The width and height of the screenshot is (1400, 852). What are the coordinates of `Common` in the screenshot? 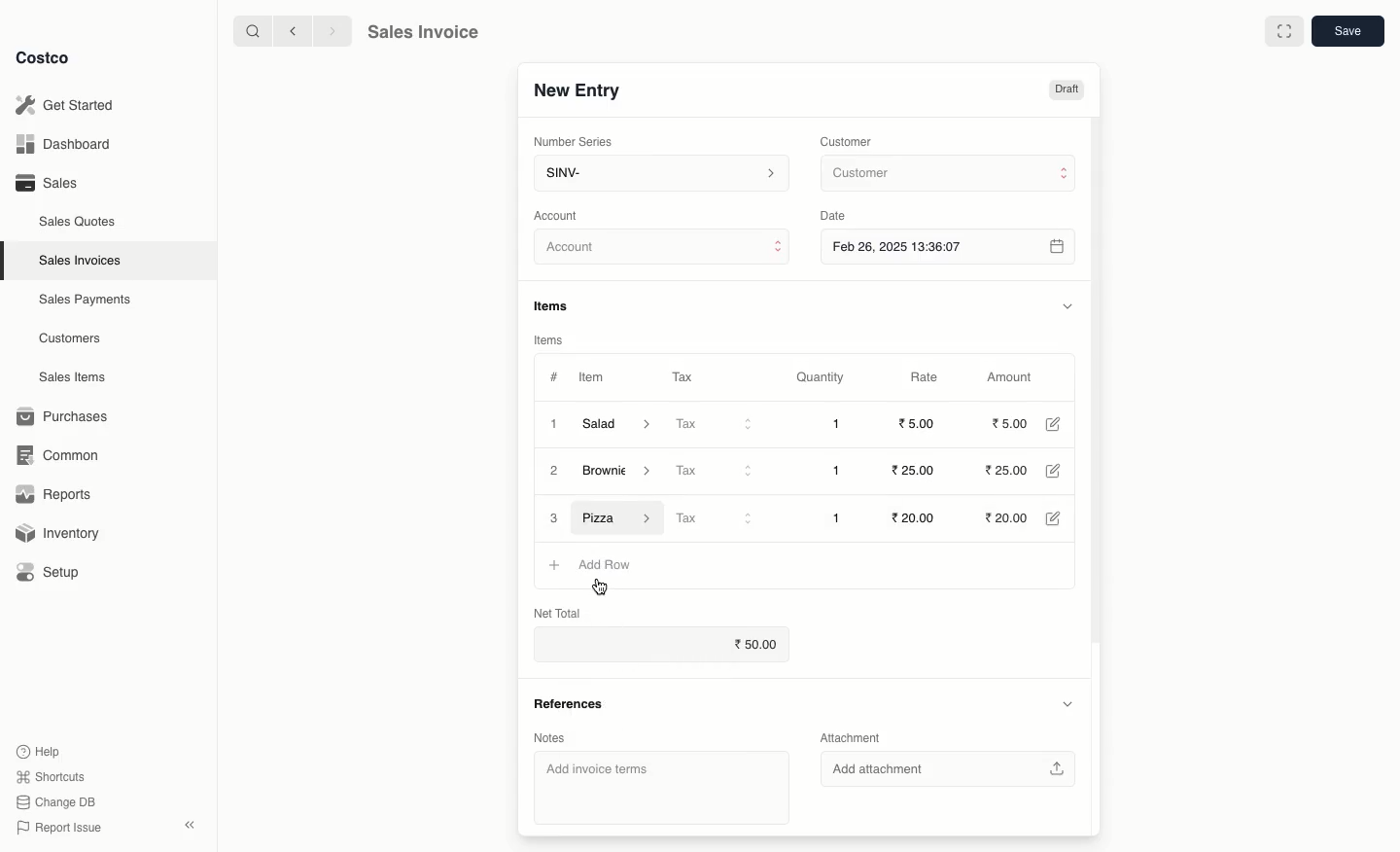 It's located at (66, 455).